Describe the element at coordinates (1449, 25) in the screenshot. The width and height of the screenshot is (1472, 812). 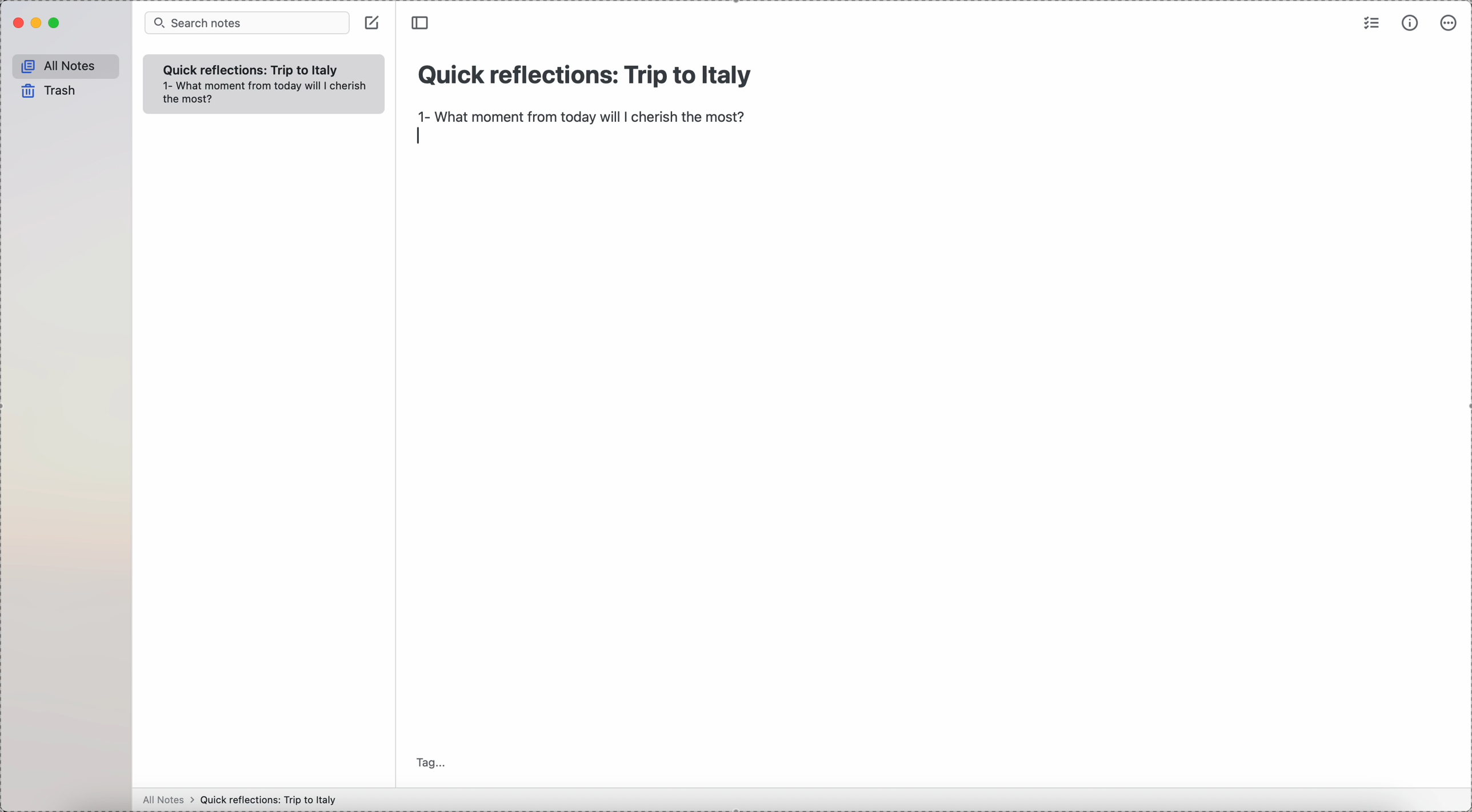
I see `more options` at that location.